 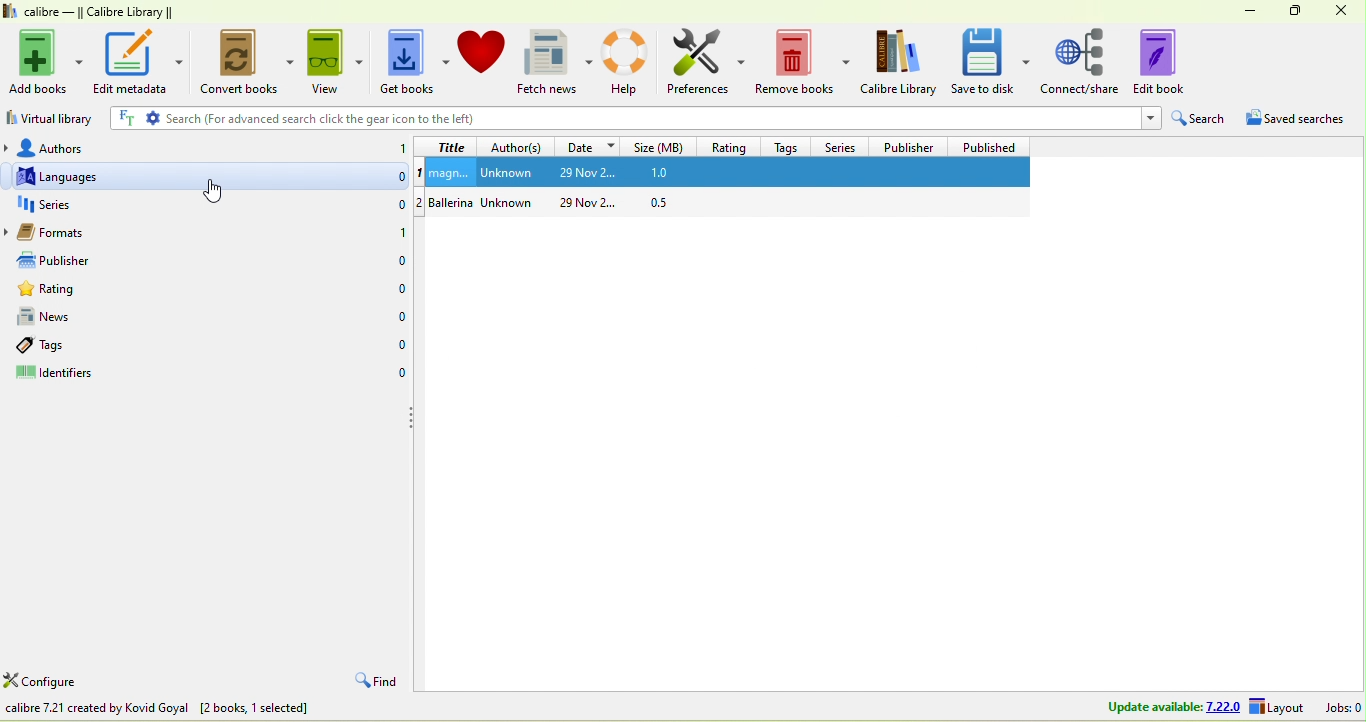 I want to click on fetch news, so click(x=558, y=62).